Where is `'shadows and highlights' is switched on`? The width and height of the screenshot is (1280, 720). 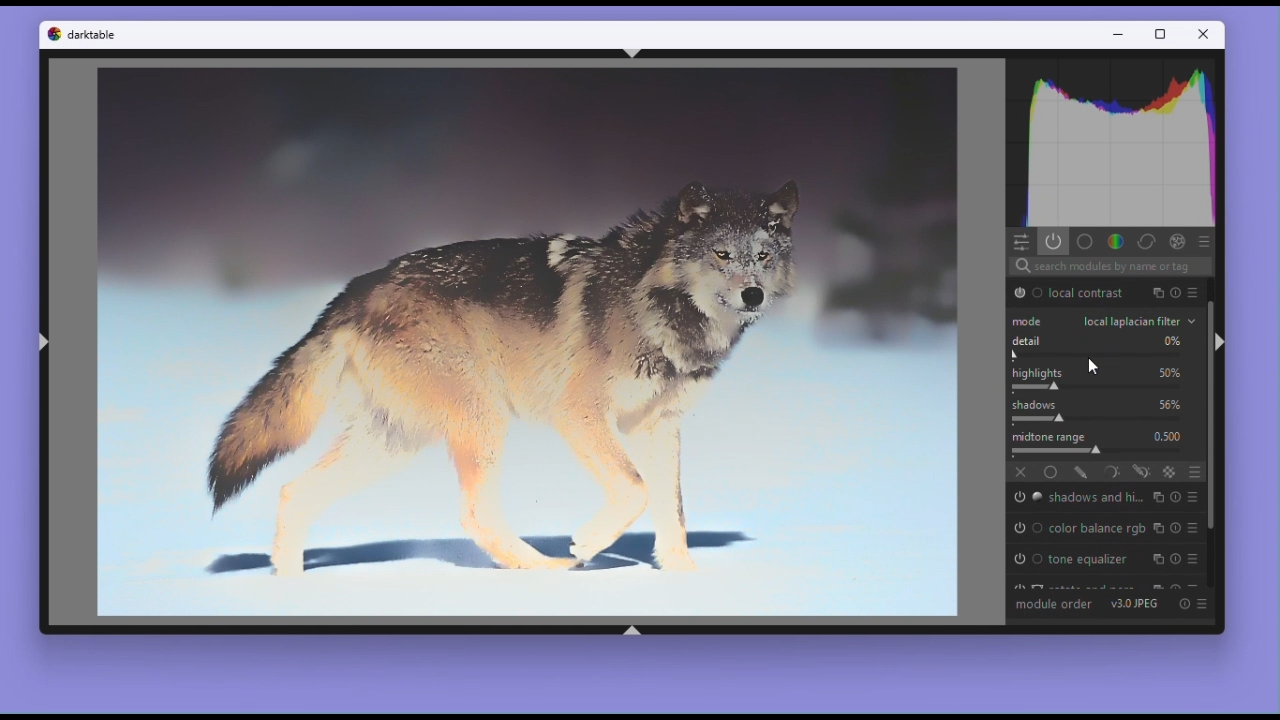 'shadows and highlights' is switched on is located at coordinates (1027, 499).